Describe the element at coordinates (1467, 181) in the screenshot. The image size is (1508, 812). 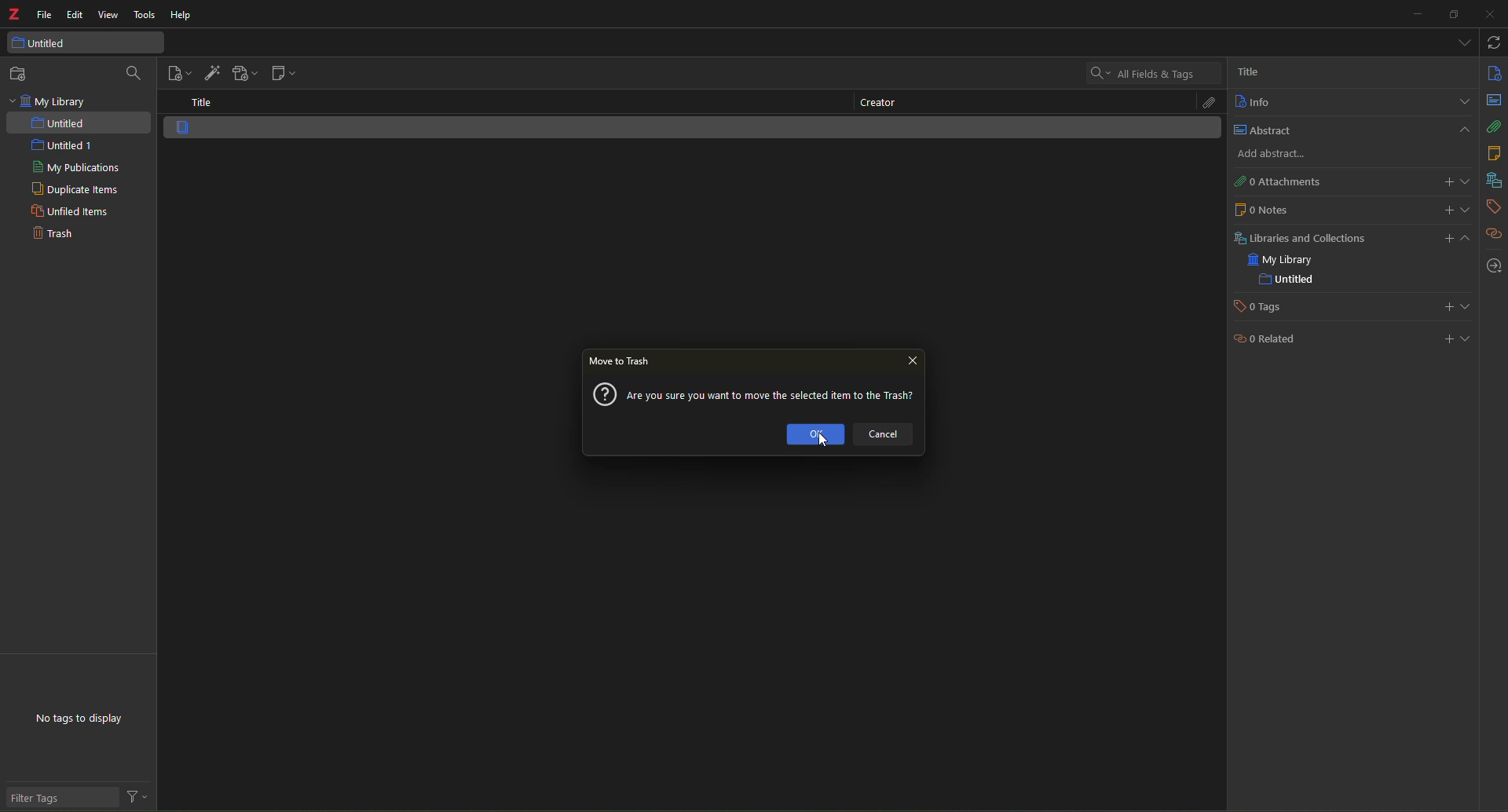
I see `expand` at that location.